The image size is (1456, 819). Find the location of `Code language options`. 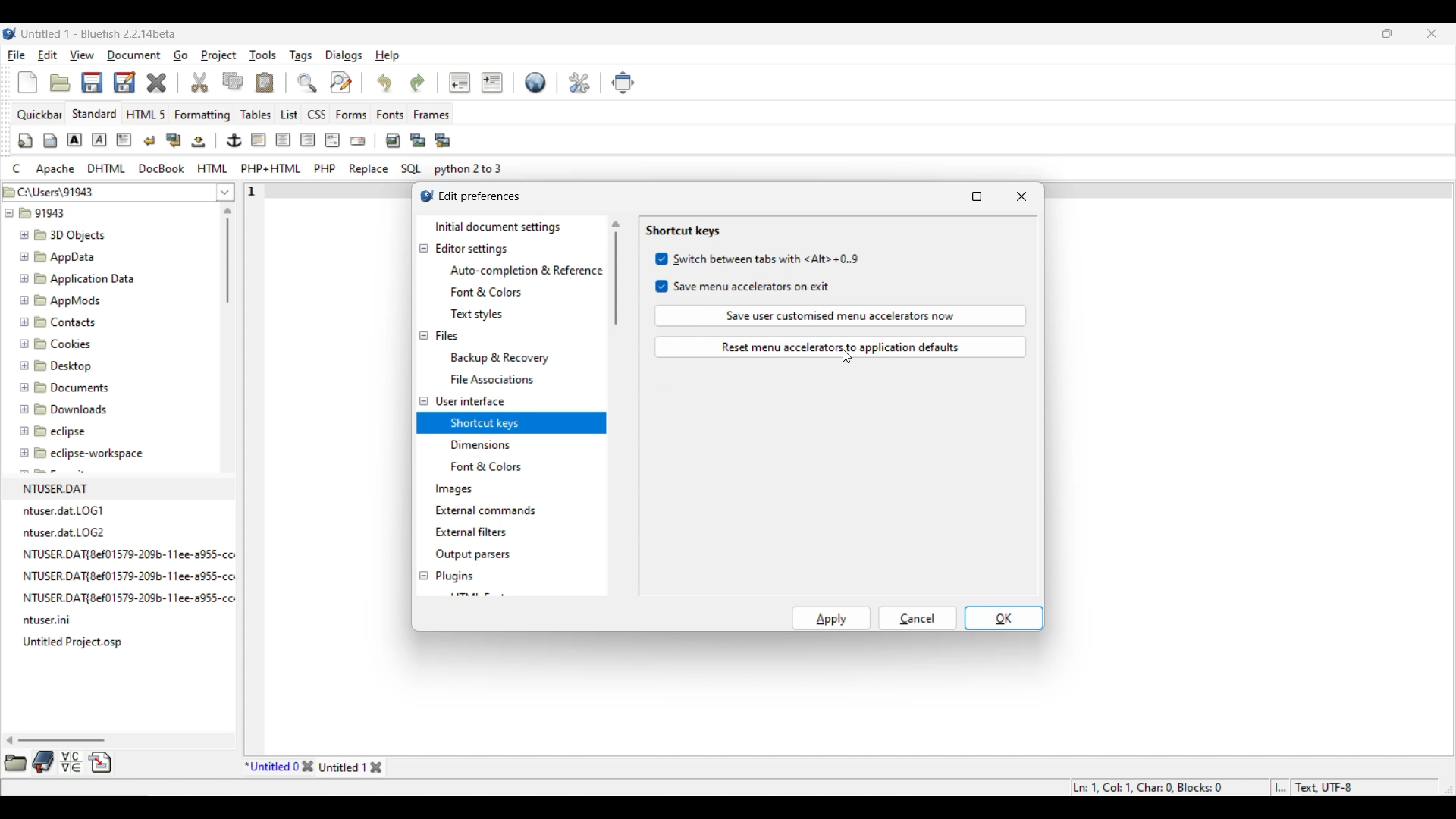

Code language options is located at coordinates (258, 168).